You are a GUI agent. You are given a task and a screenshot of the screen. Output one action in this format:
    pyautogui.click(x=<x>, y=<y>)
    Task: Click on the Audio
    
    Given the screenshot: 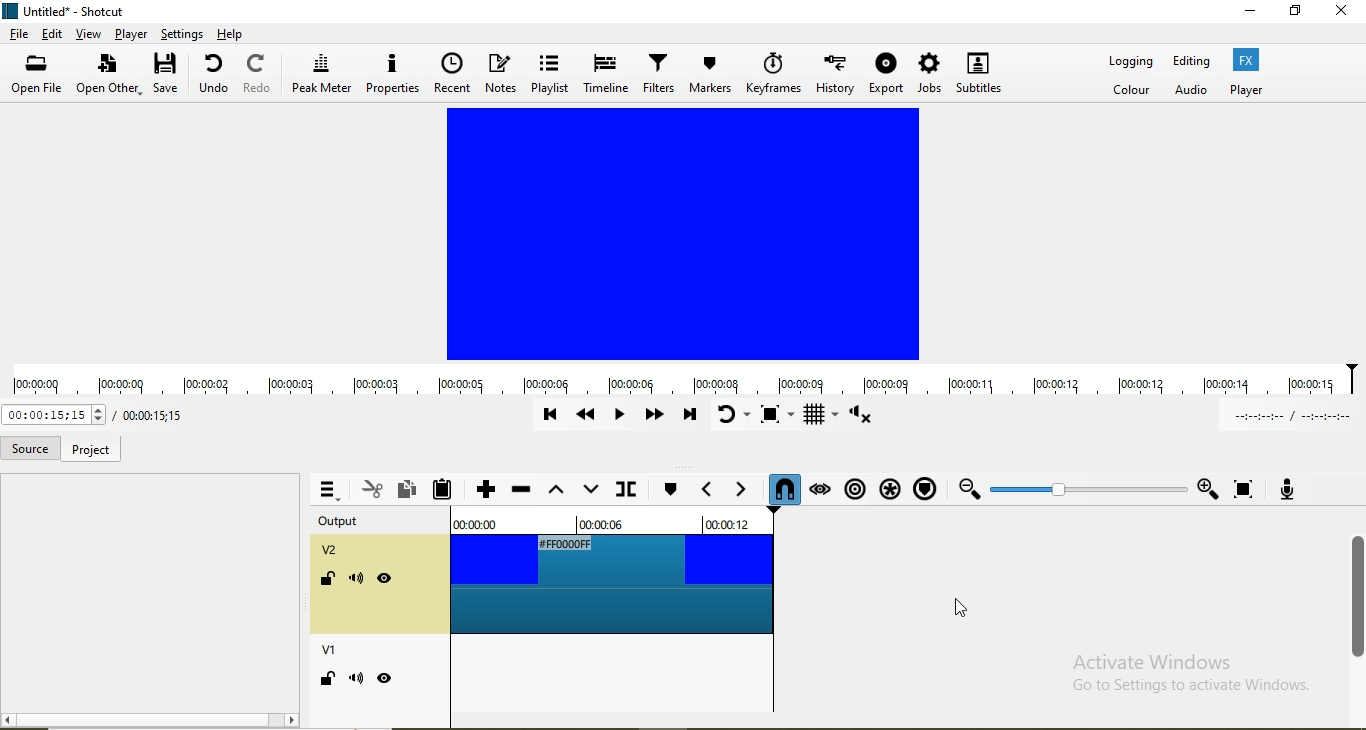 What is the action you would take?
    pyautogui.click(x=1193, y=91)
    